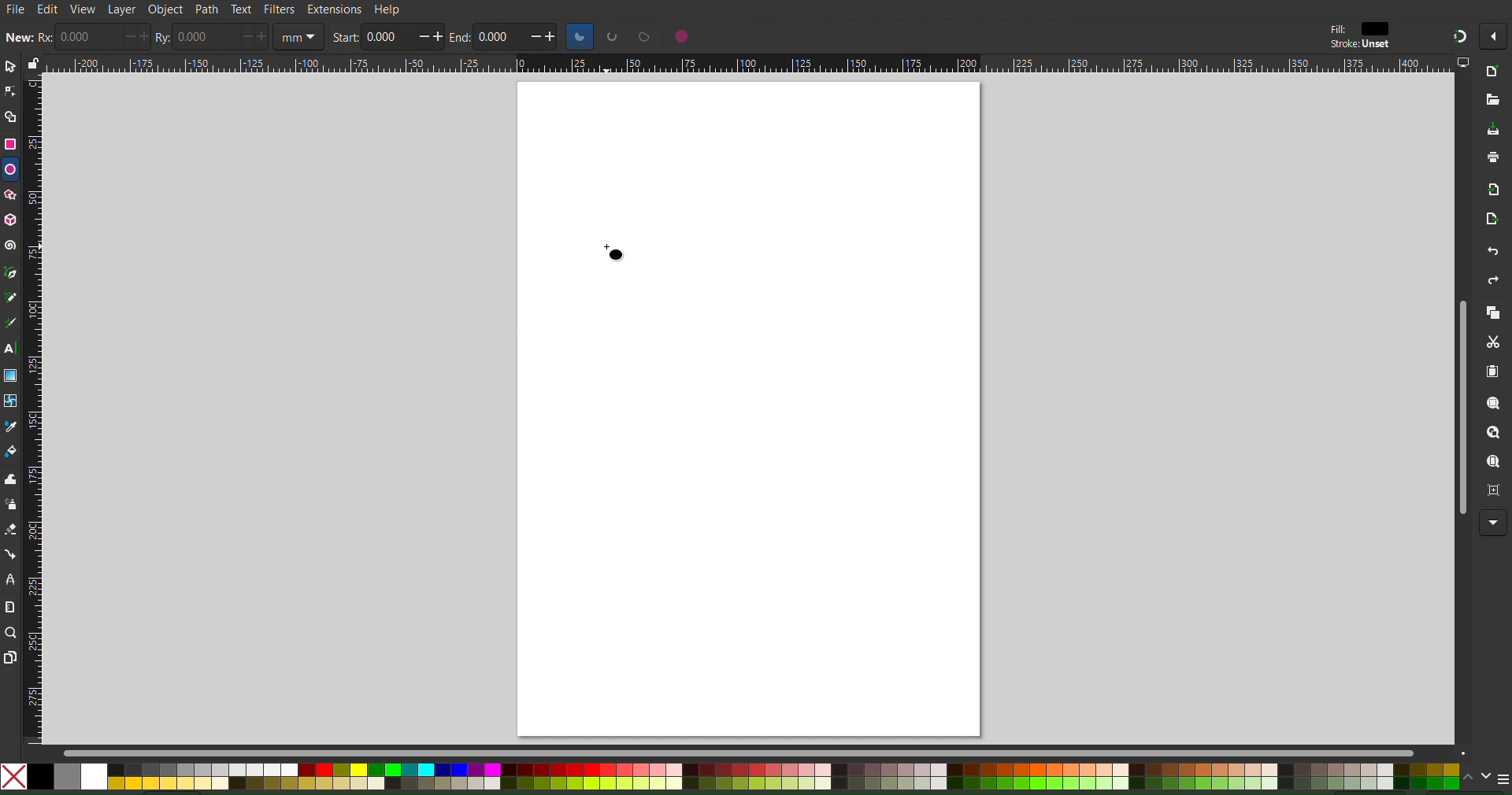  I want to click on Zoom Drawing, so click(1492, 433).